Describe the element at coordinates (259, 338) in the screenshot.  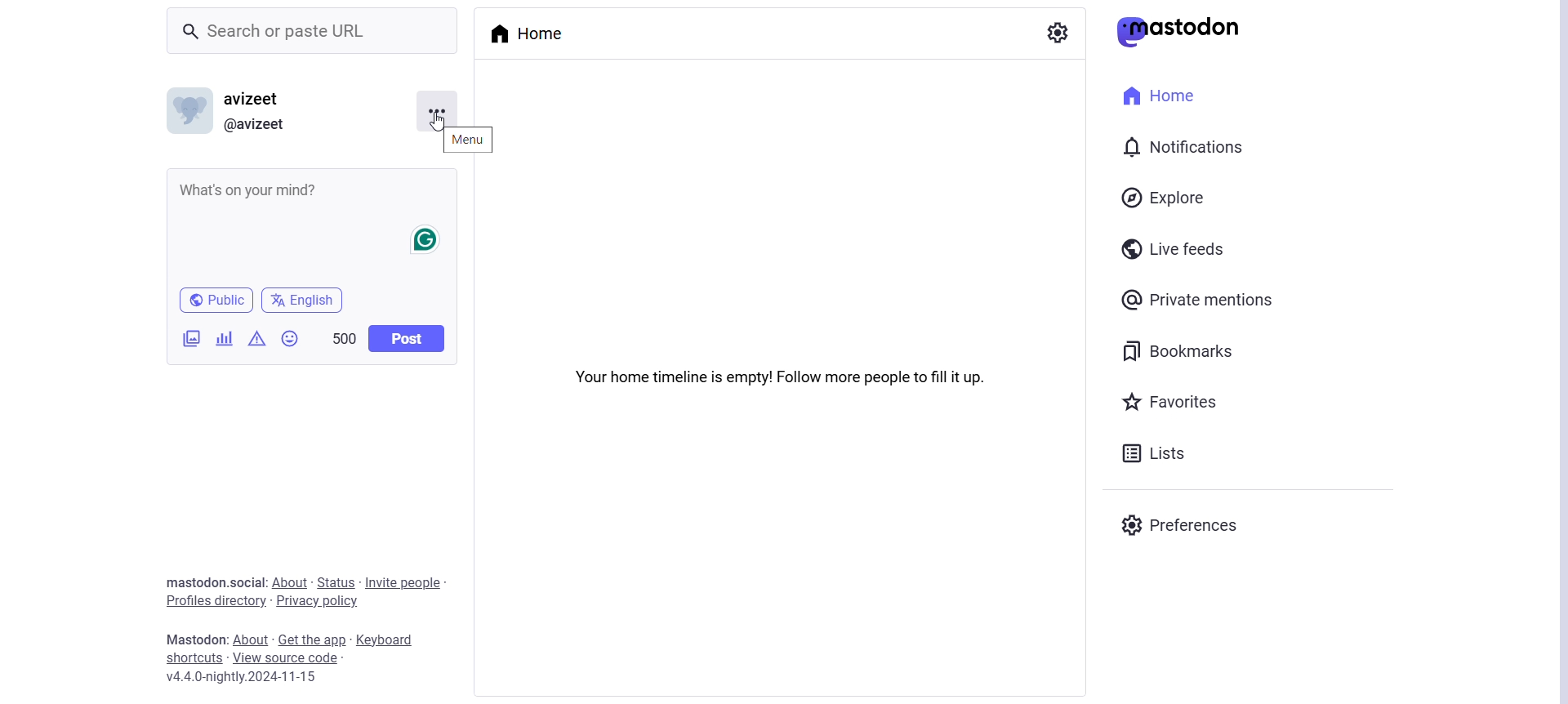
I see `Add content` at that location.